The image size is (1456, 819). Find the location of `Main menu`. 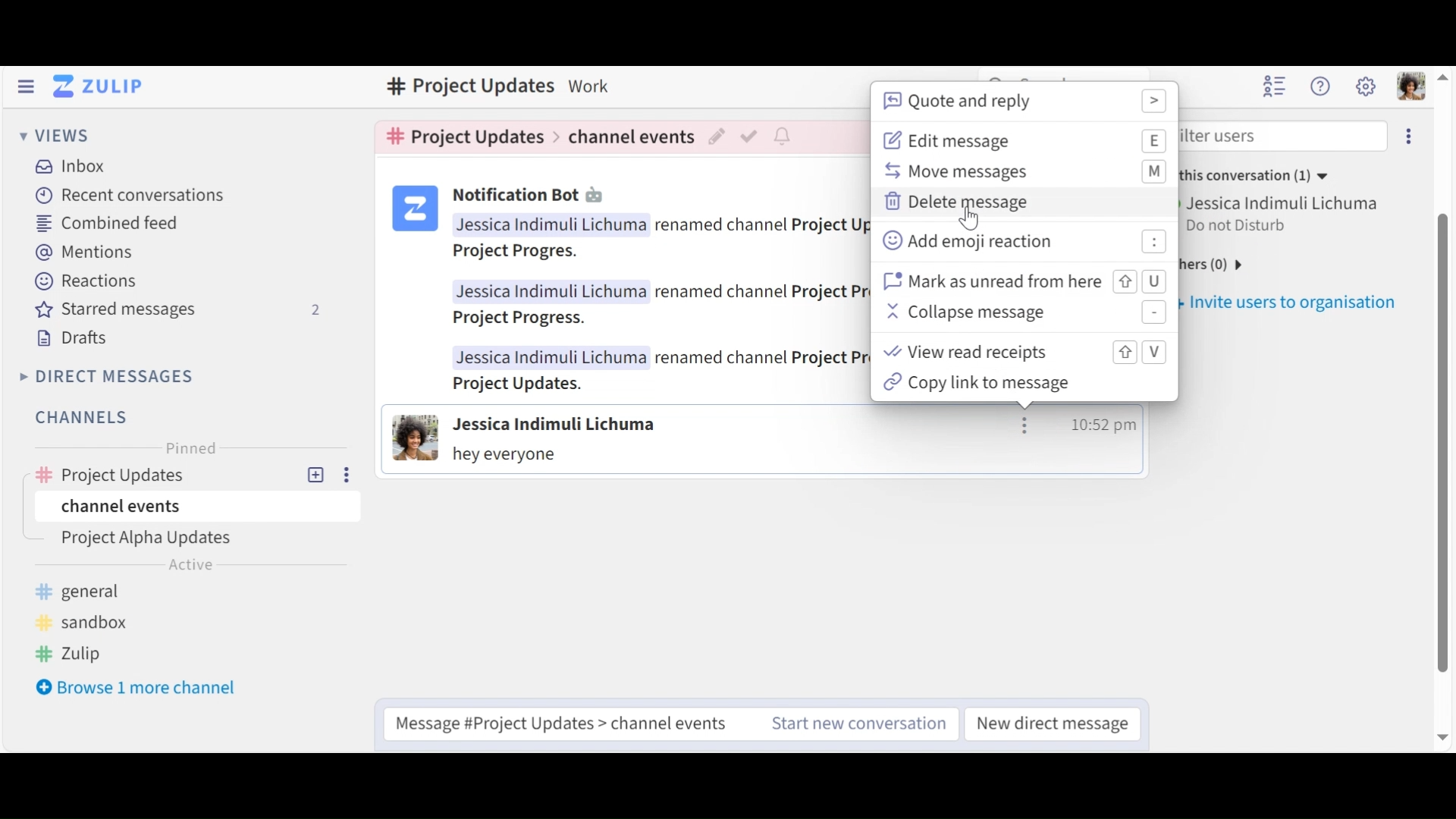

Main menu is located at coordinates (1367, 88).